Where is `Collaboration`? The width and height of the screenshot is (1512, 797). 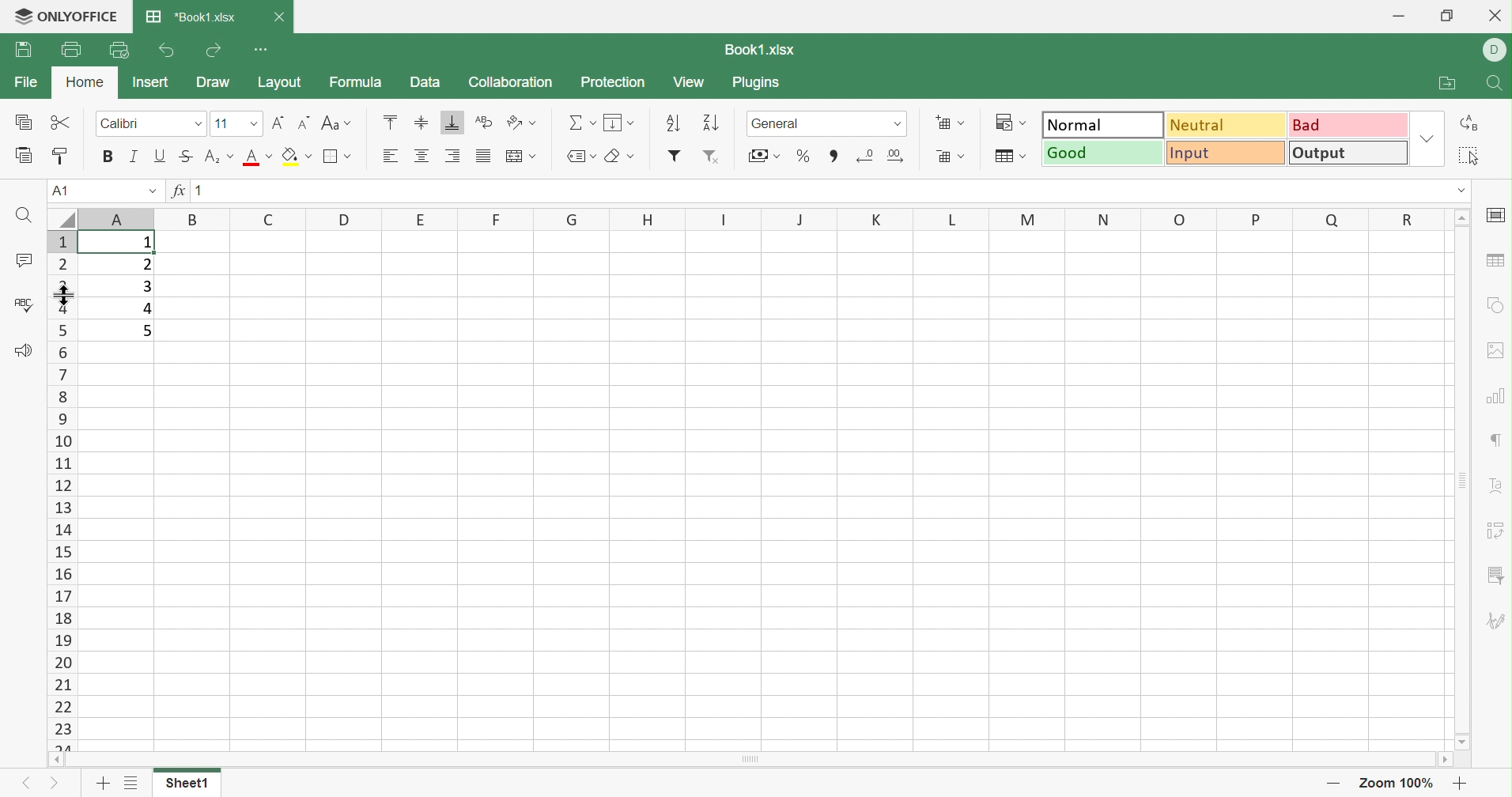 Collaboration is located at coordinates (512, 81).